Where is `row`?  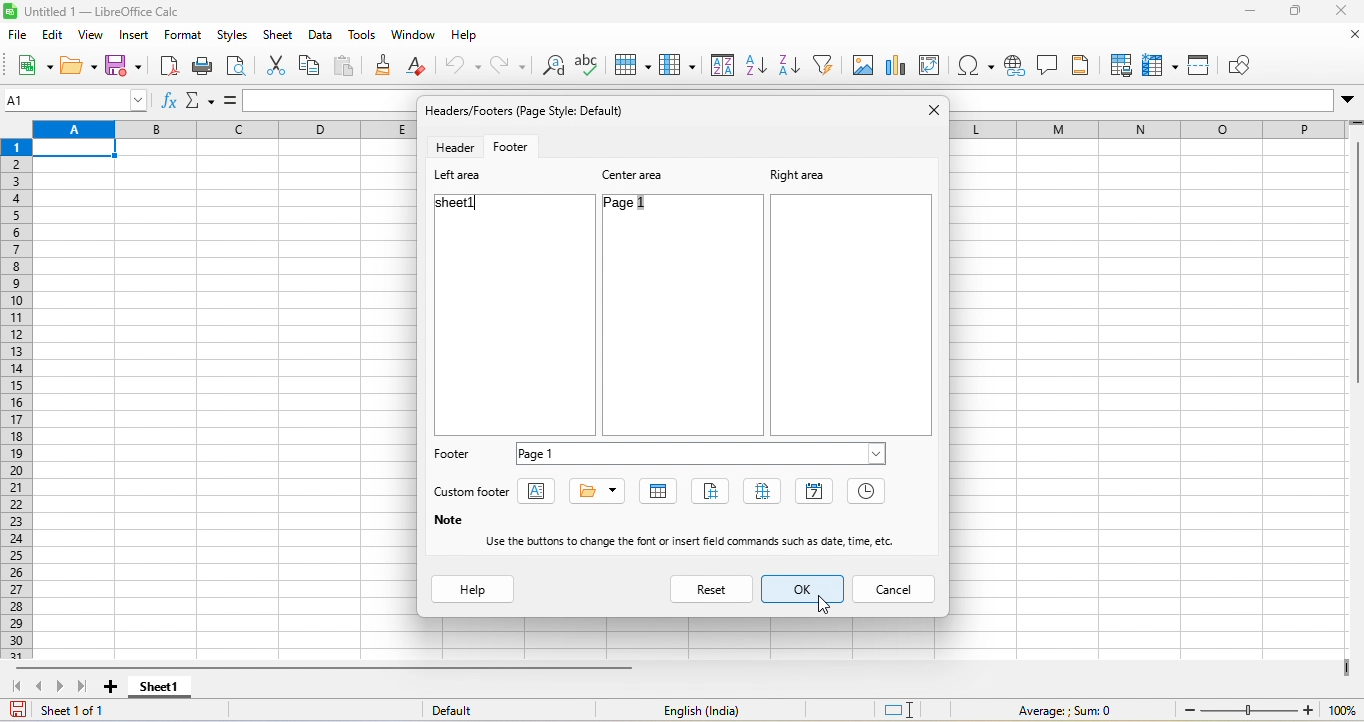
row is located at coordinates (637, 64).